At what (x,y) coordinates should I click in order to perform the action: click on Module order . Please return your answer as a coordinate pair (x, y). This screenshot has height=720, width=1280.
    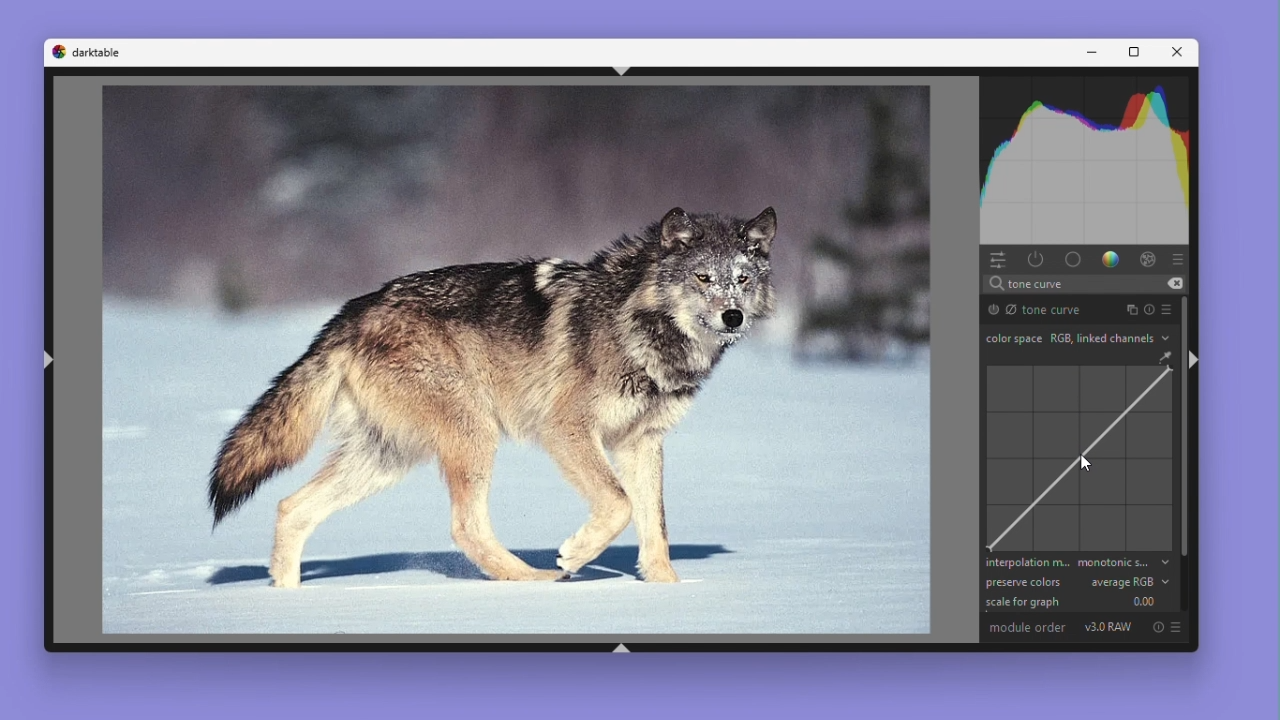
    Looking at the image, I should click on (1027, 629).